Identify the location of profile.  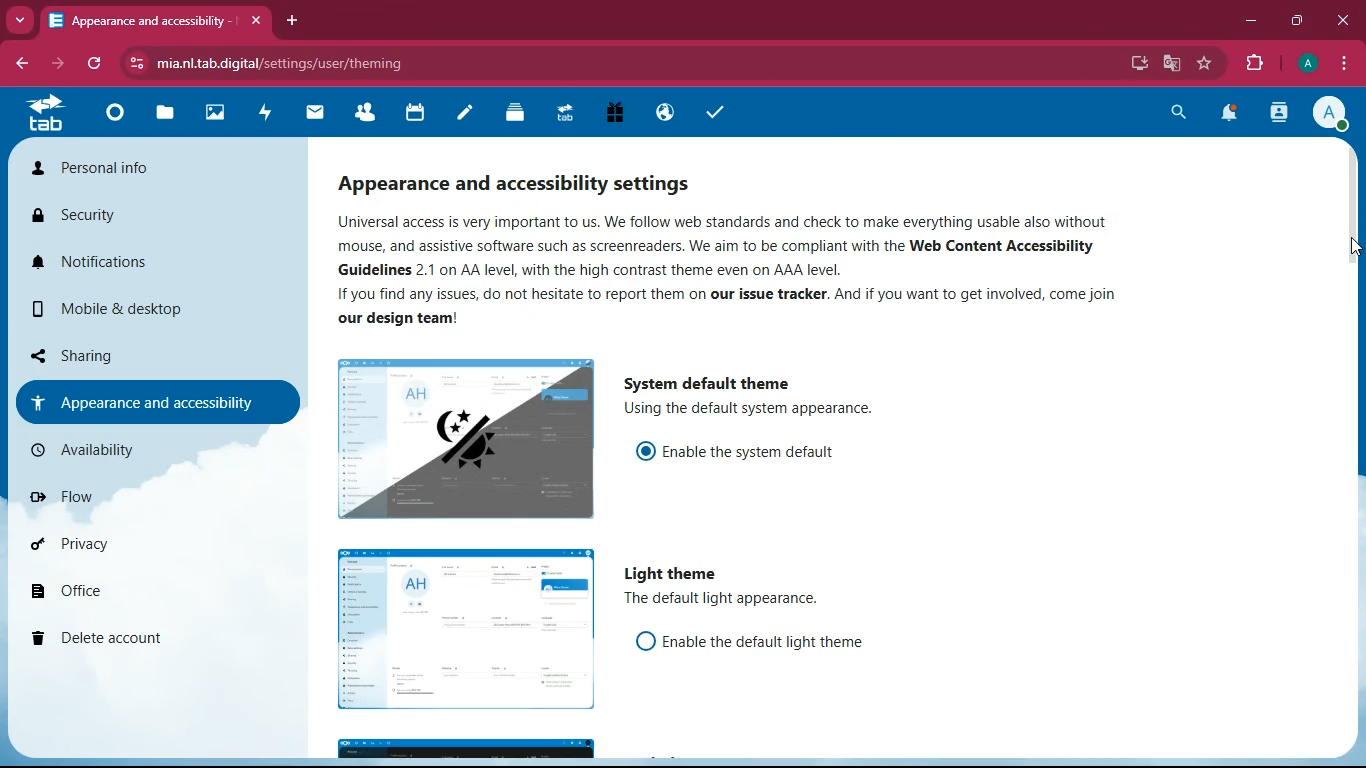
(1309, 63).